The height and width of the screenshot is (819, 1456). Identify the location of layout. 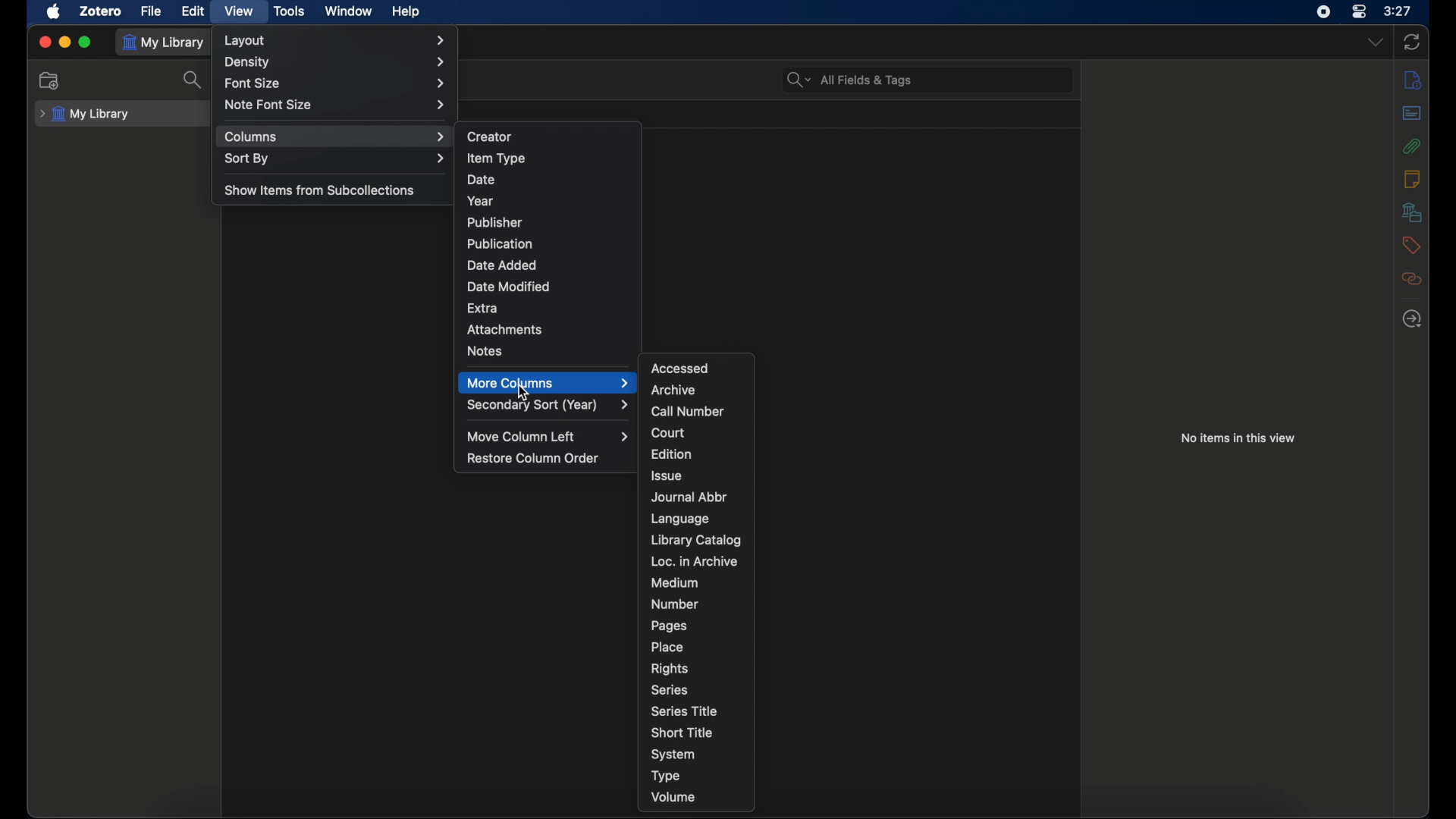
(336, 40).